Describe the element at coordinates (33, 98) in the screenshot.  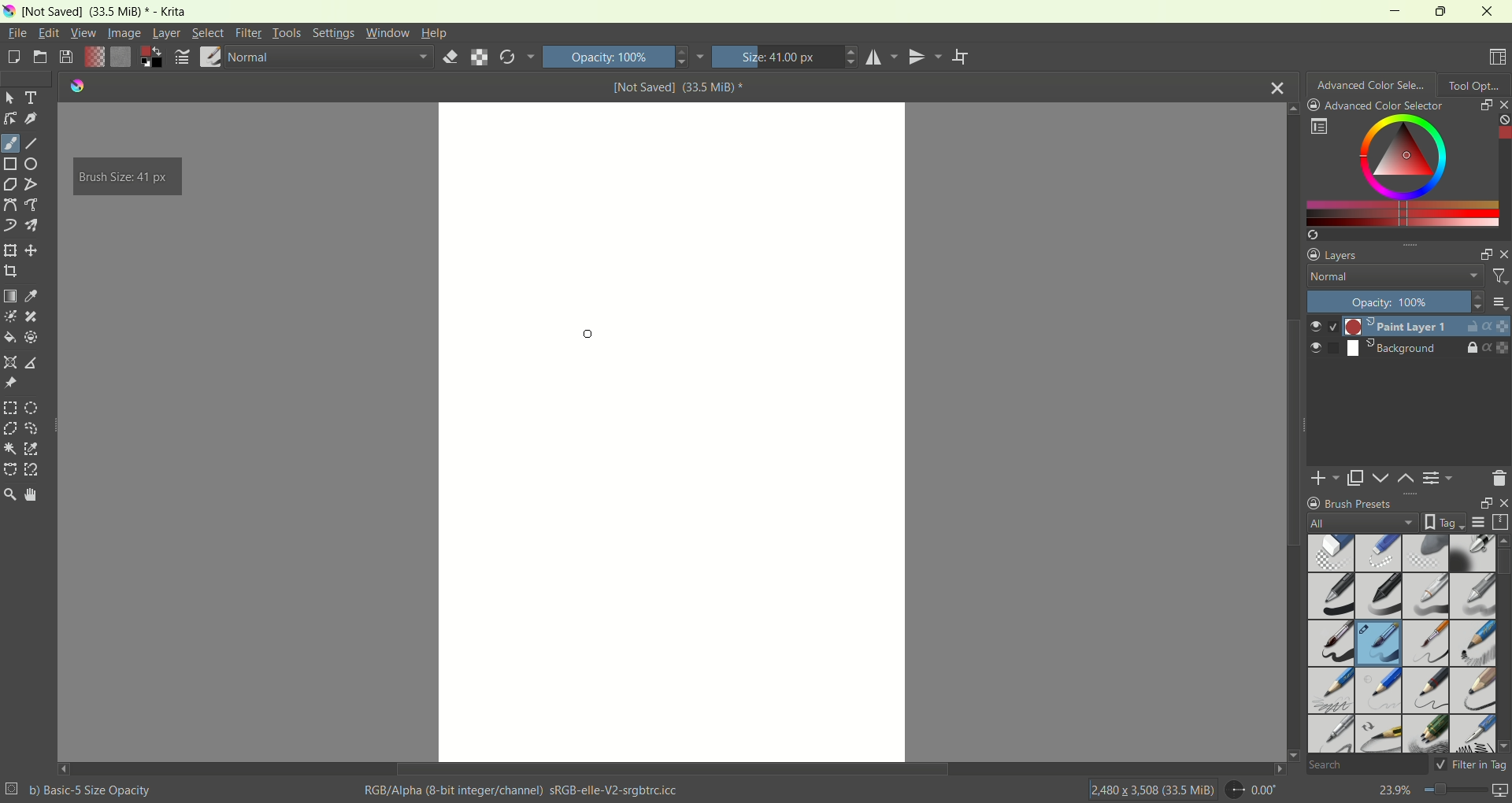
I see `text` at that location.